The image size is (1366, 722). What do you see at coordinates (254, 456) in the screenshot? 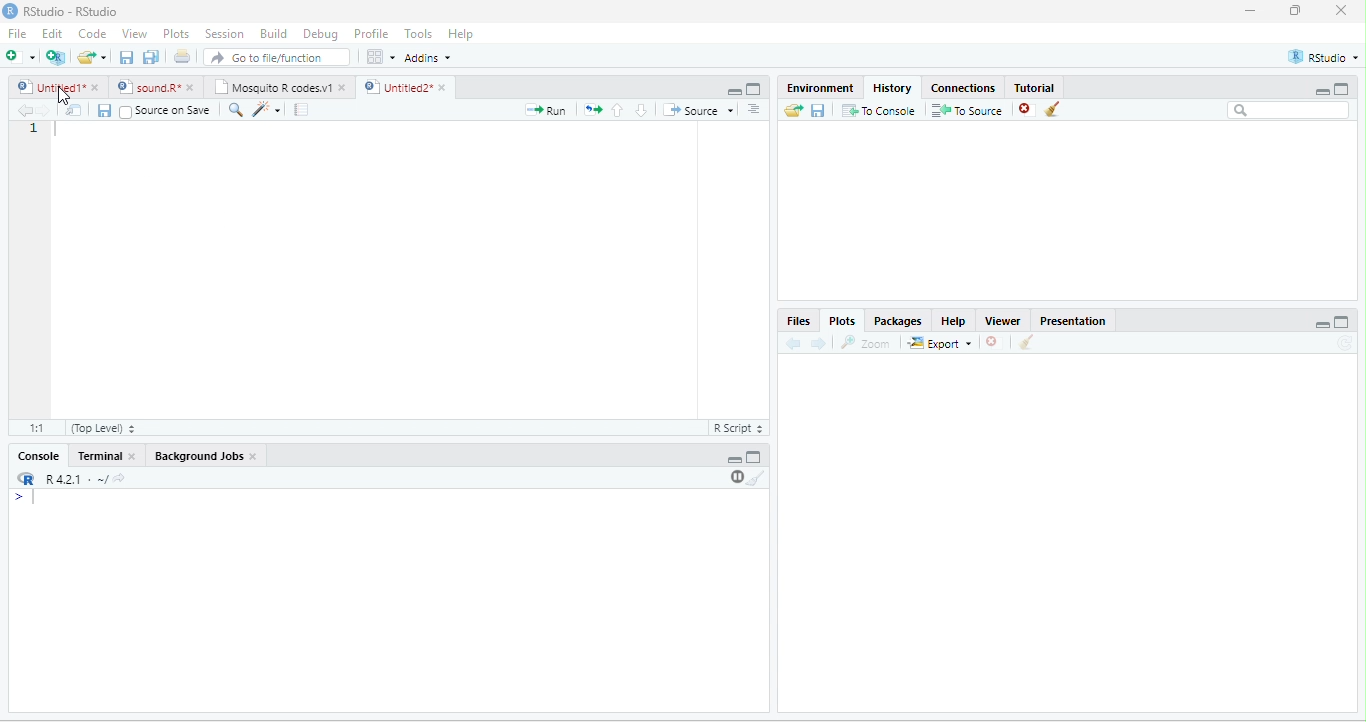
I see `close` at bounding box center [254, 456].